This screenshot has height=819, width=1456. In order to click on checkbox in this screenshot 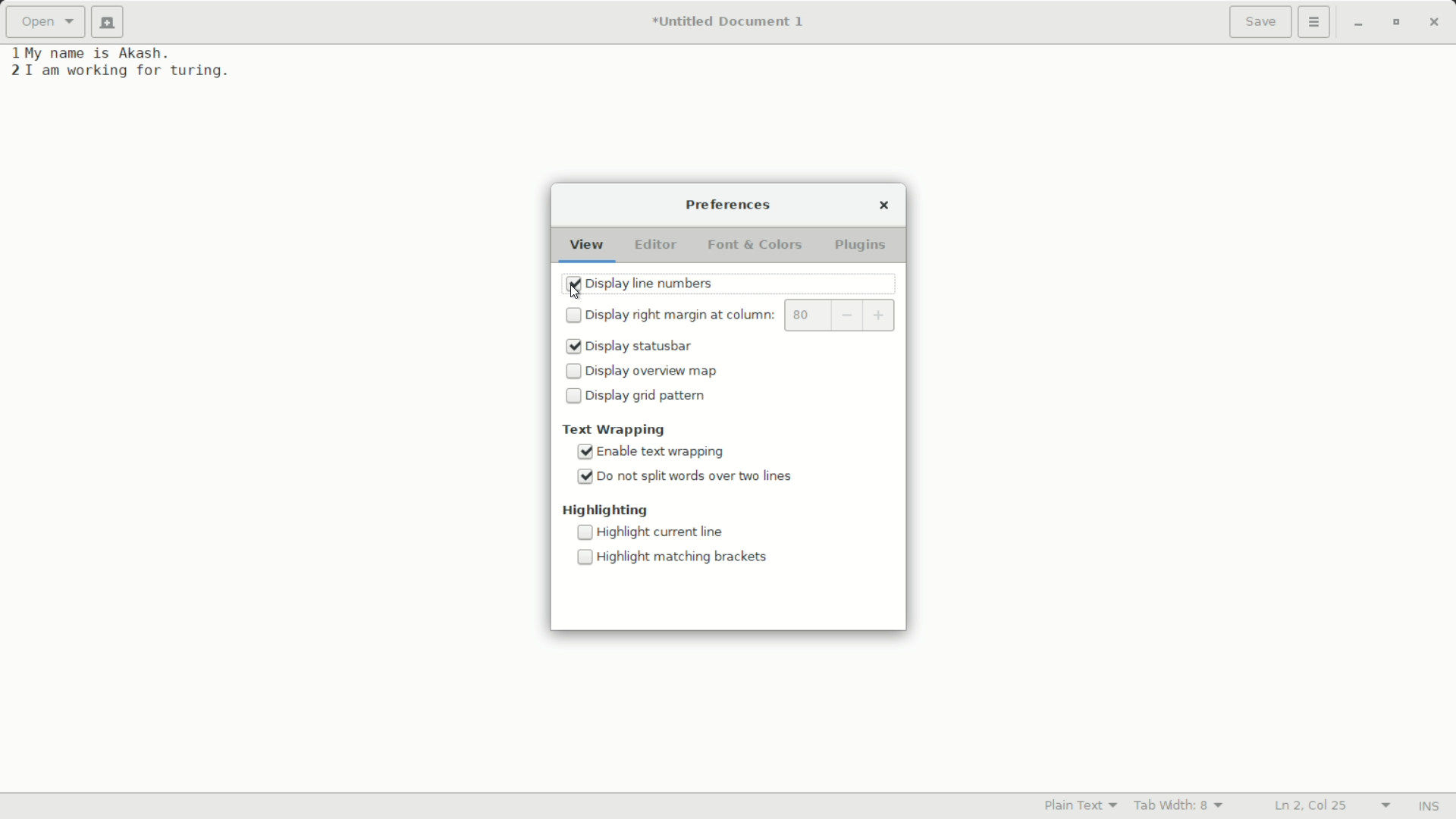, I will do `click(573, 395)`.